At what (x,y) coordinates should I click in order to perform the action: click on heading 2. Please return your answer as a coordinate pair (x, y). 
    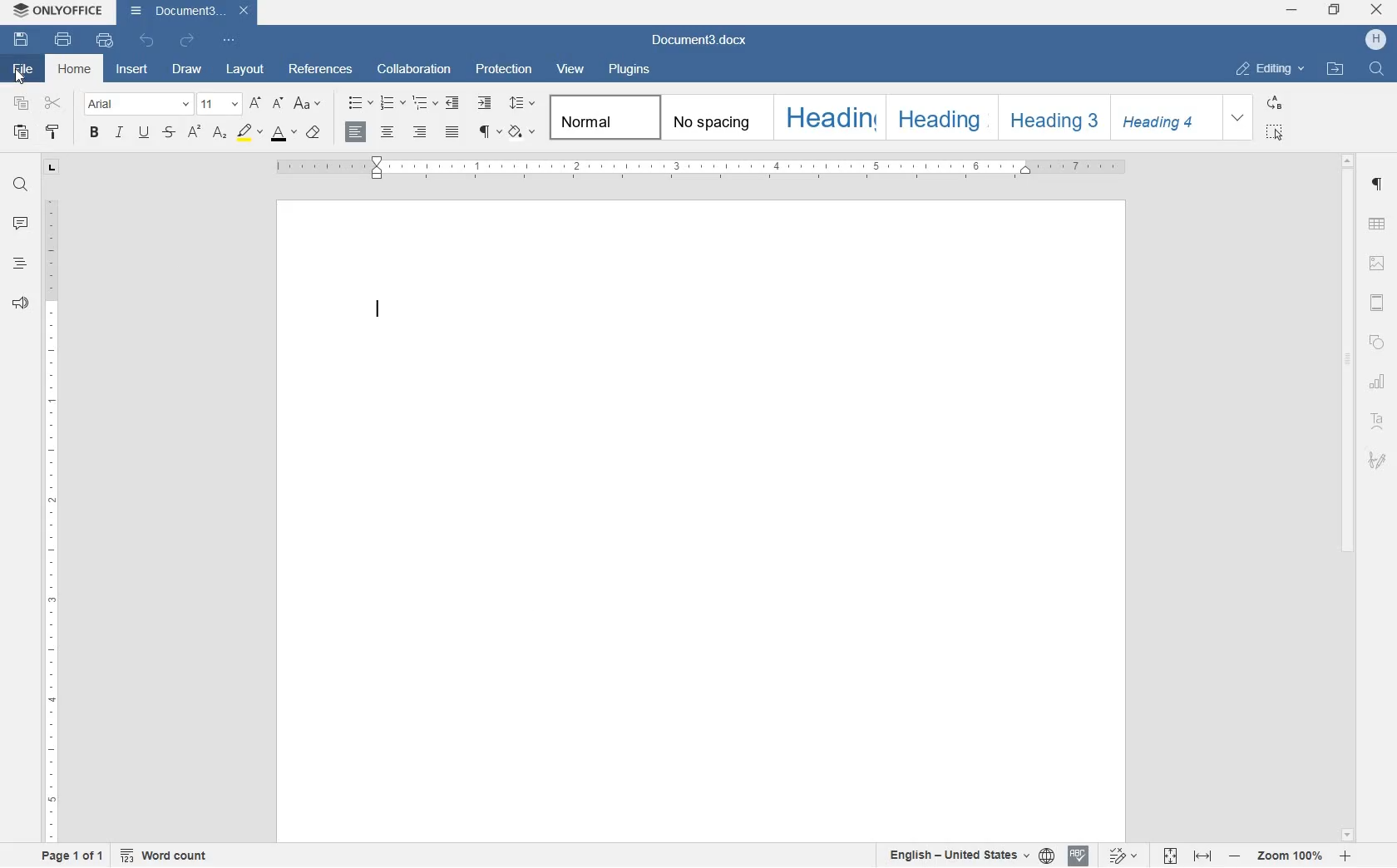
    Looking at the image, I should click on (938, 116).